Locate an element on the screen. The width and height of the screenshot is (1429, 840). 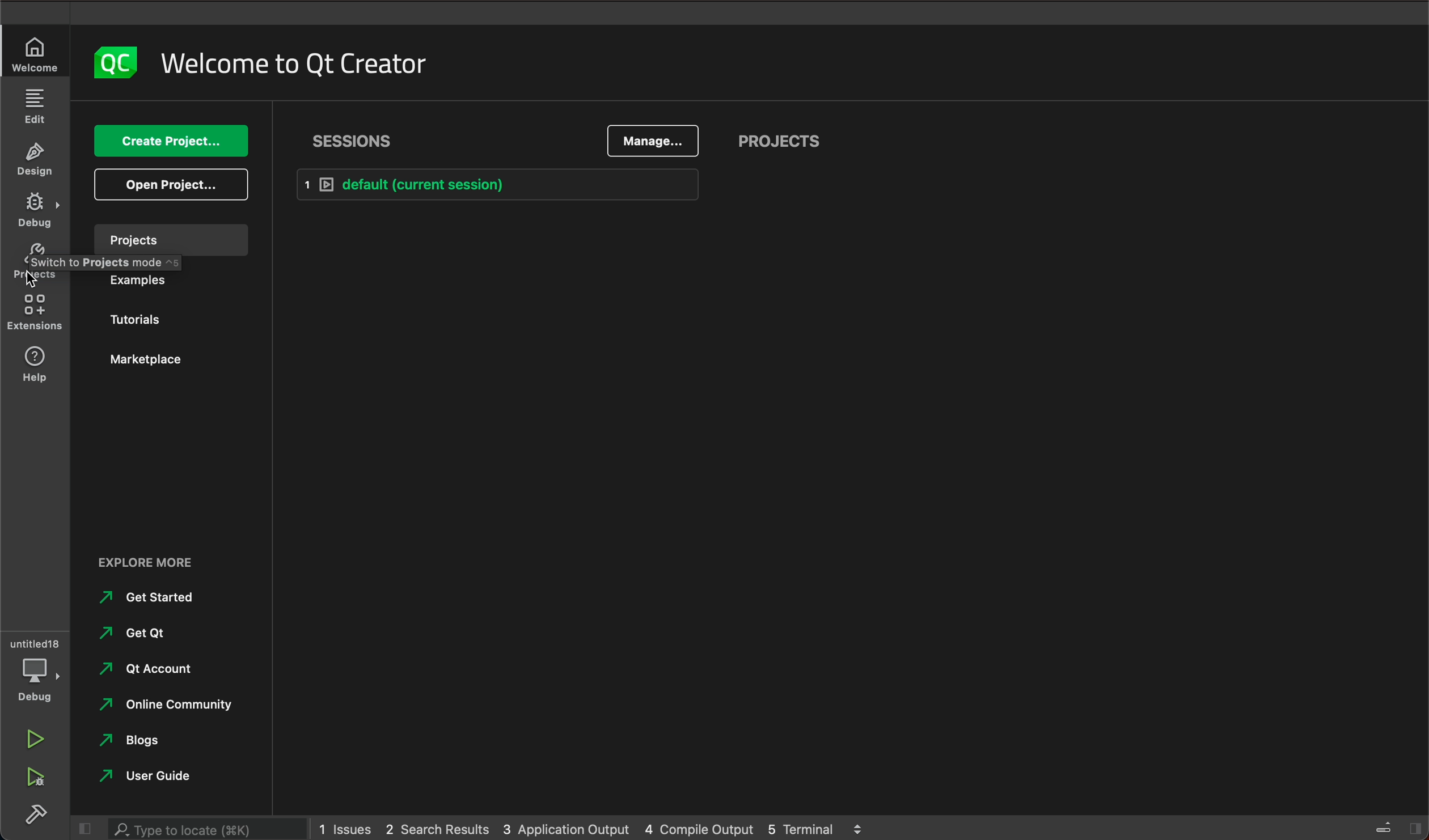
help is located at coordinates (39, 364).